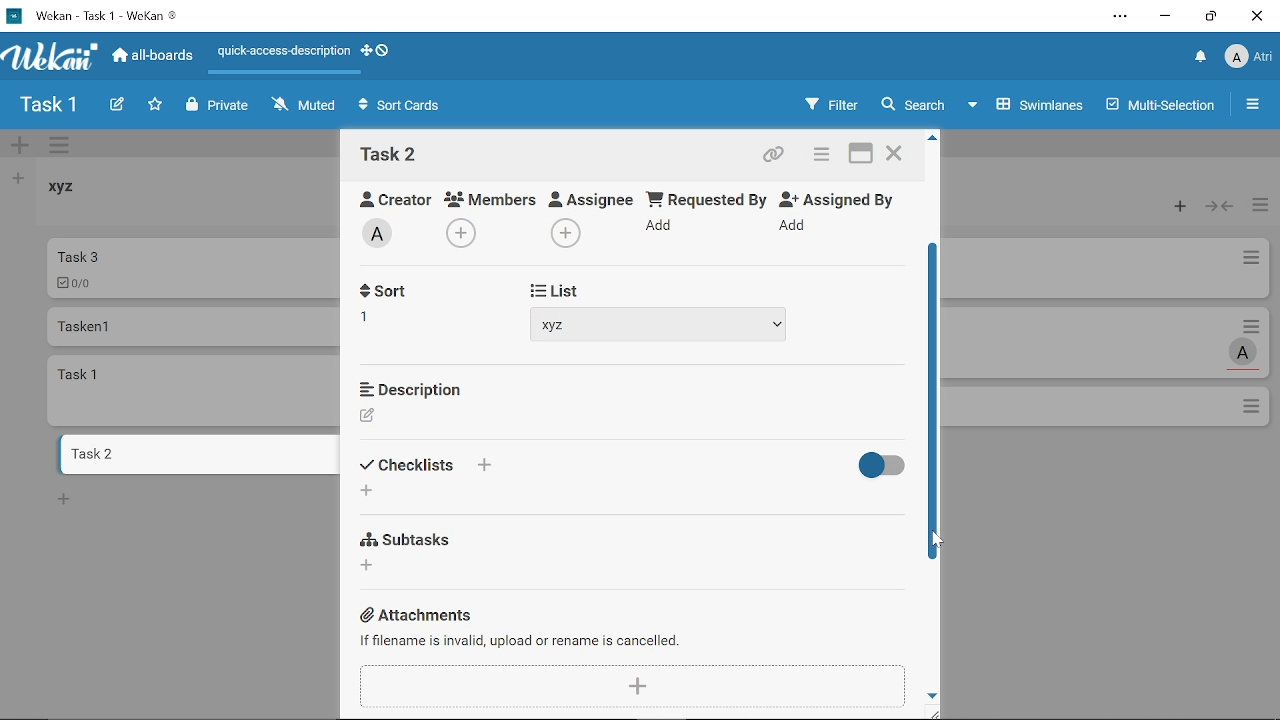 The height and width of the screenshot is (720, 1280). What do you see at coordinates (366, 492) in the screenshot?
I see `Add` at bounding box center [366, 492].